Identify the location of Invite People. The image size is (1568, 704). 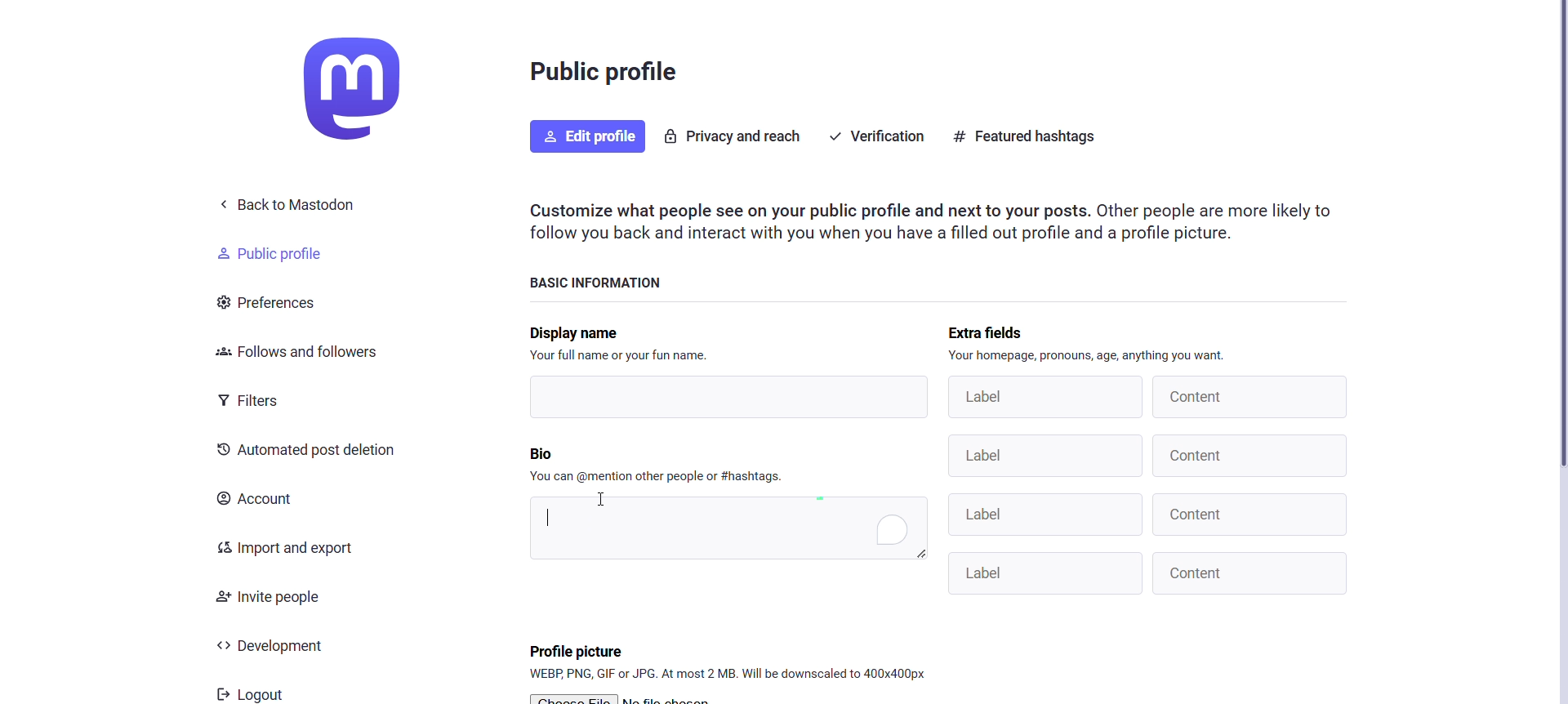
(275, 595).